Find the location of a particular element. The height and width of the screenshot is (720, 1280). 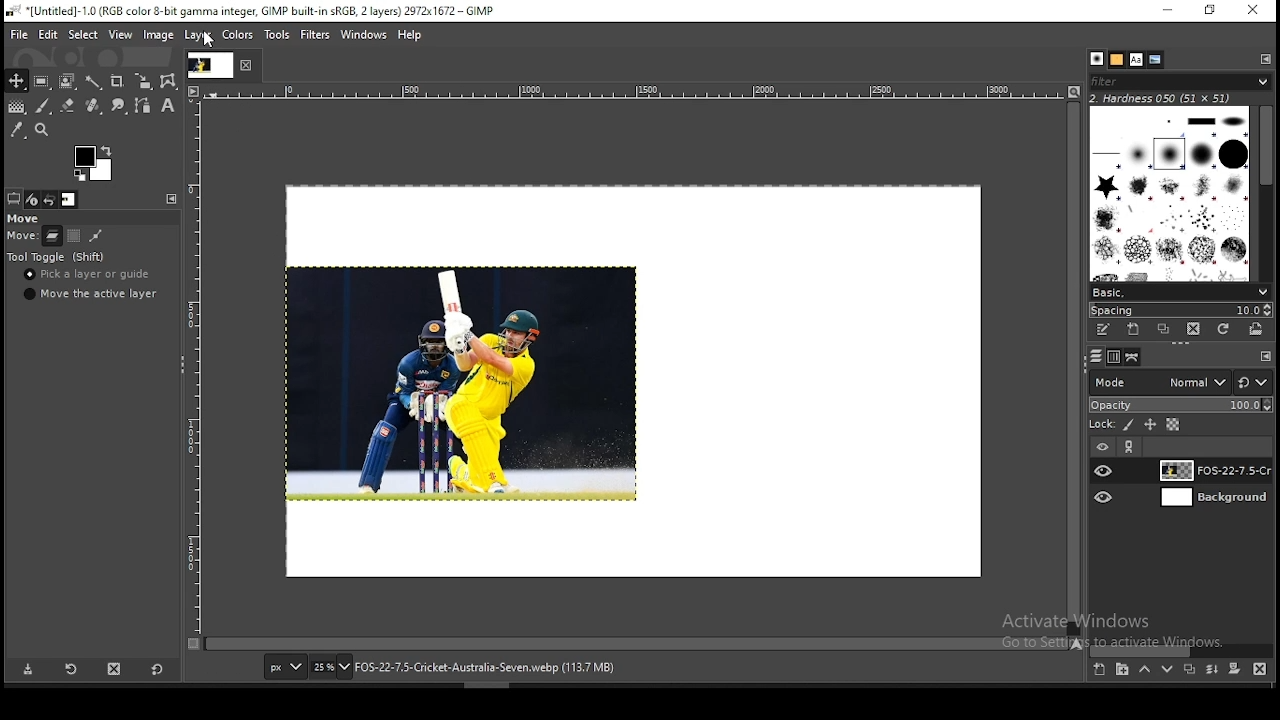

windows is located at coordinates (363, 35).